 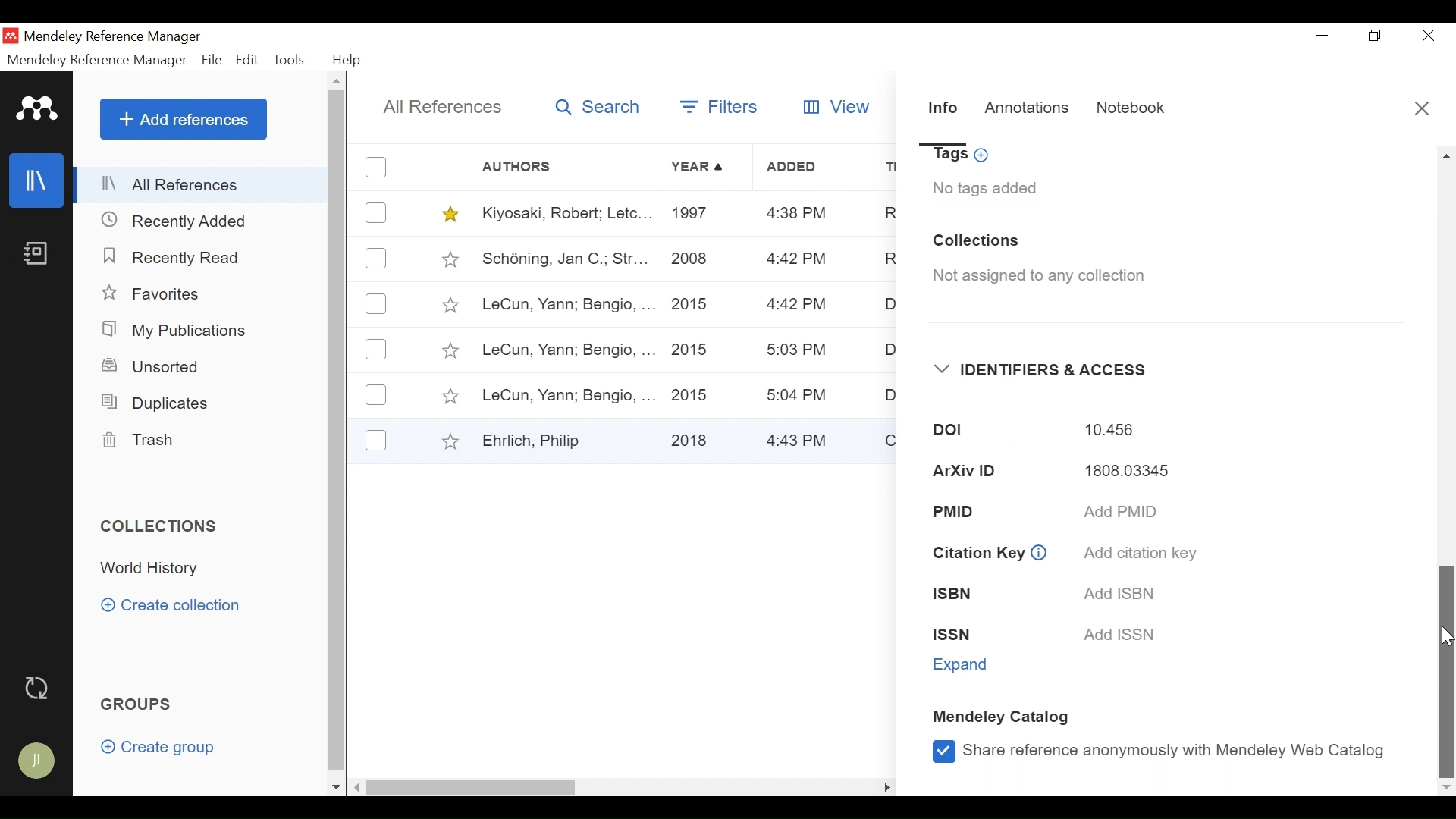 What do you see at coordinates (213, 60) in the screenshot?
I see `File` at bounding box center [213, 60].